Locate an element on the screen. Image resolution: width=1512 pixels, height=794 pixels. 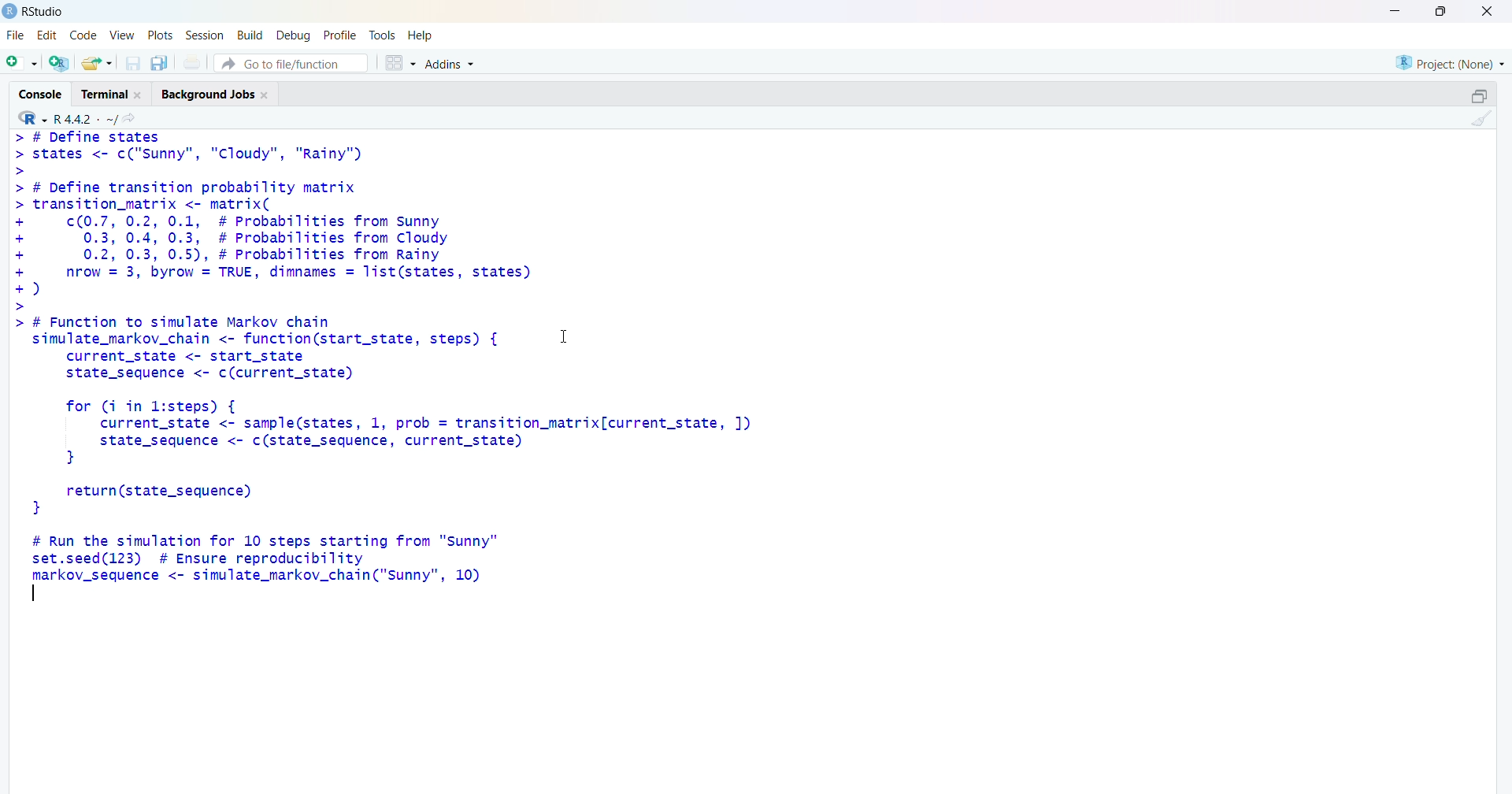
> # Define states> states <- c("sunny", "Cloudy", "Rainy")>> # Define transition probability matrix> transition_matrix <- matrix(- c(0.7, 0.2, 0.1, # Probabilities from Sunny+ 0.3, 0.4, 0.3, # Probabilities from Cloudy+ 0.2, 0.3, 0.5), # Probabilities from Rainy- nrow = 3, byrow = TRUE, dimnames = list(states, states)+)>- is located at coordinates (283, 221).